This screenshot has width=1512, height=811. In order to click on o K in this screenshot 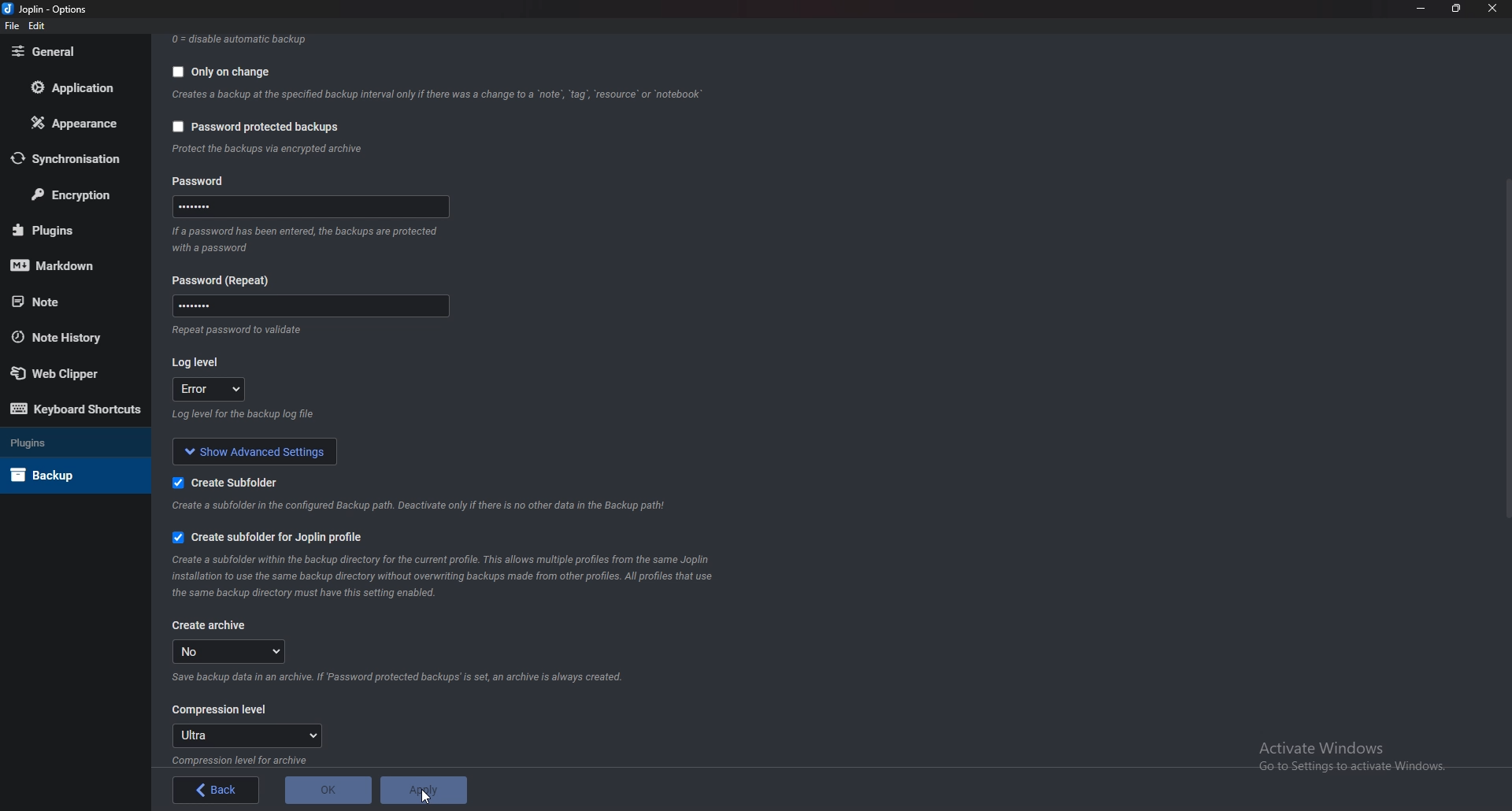, I will do `click(329, 790)`.